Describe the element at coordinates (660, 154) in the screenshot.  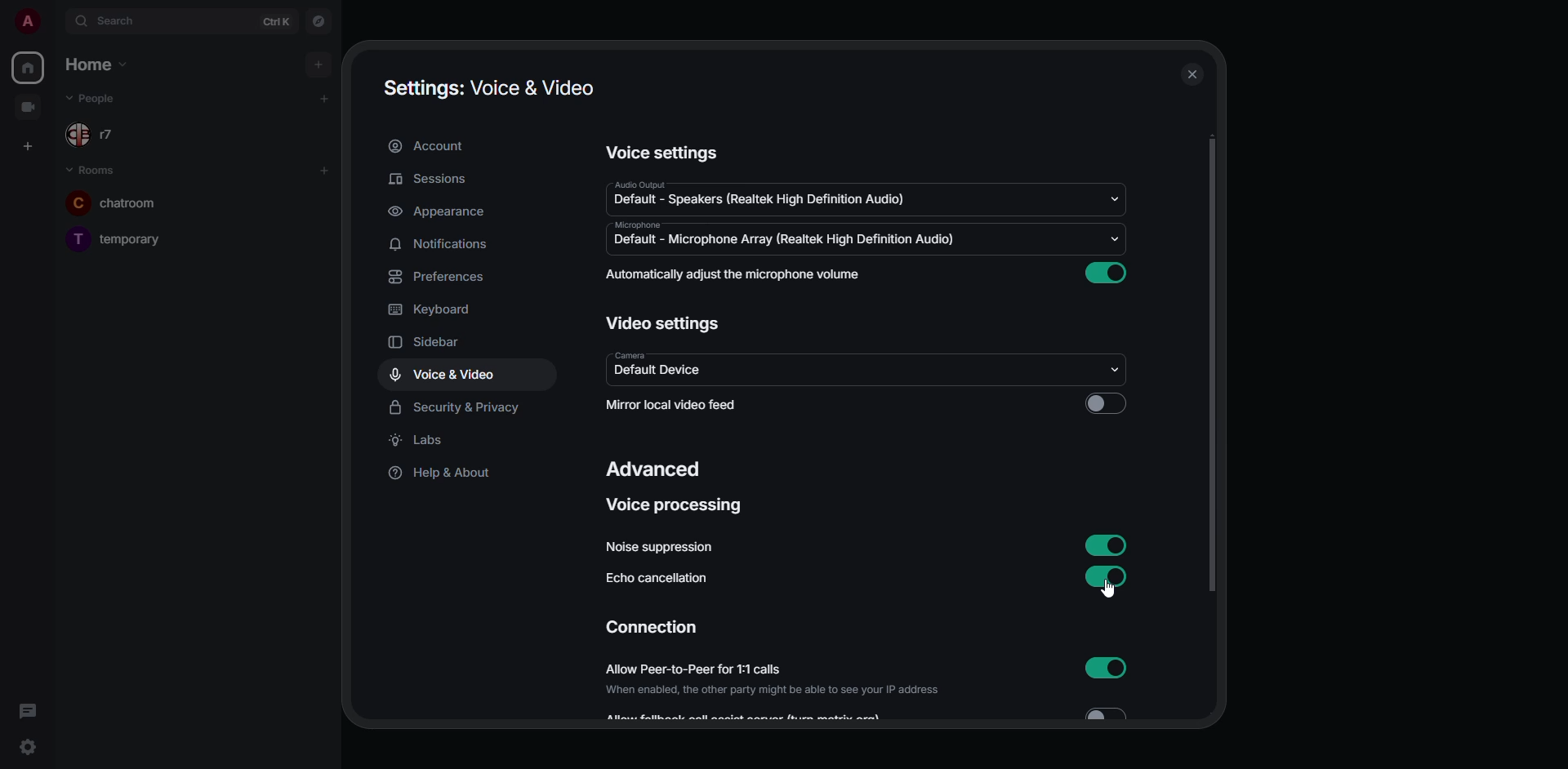
I see `voice settings` at that location.